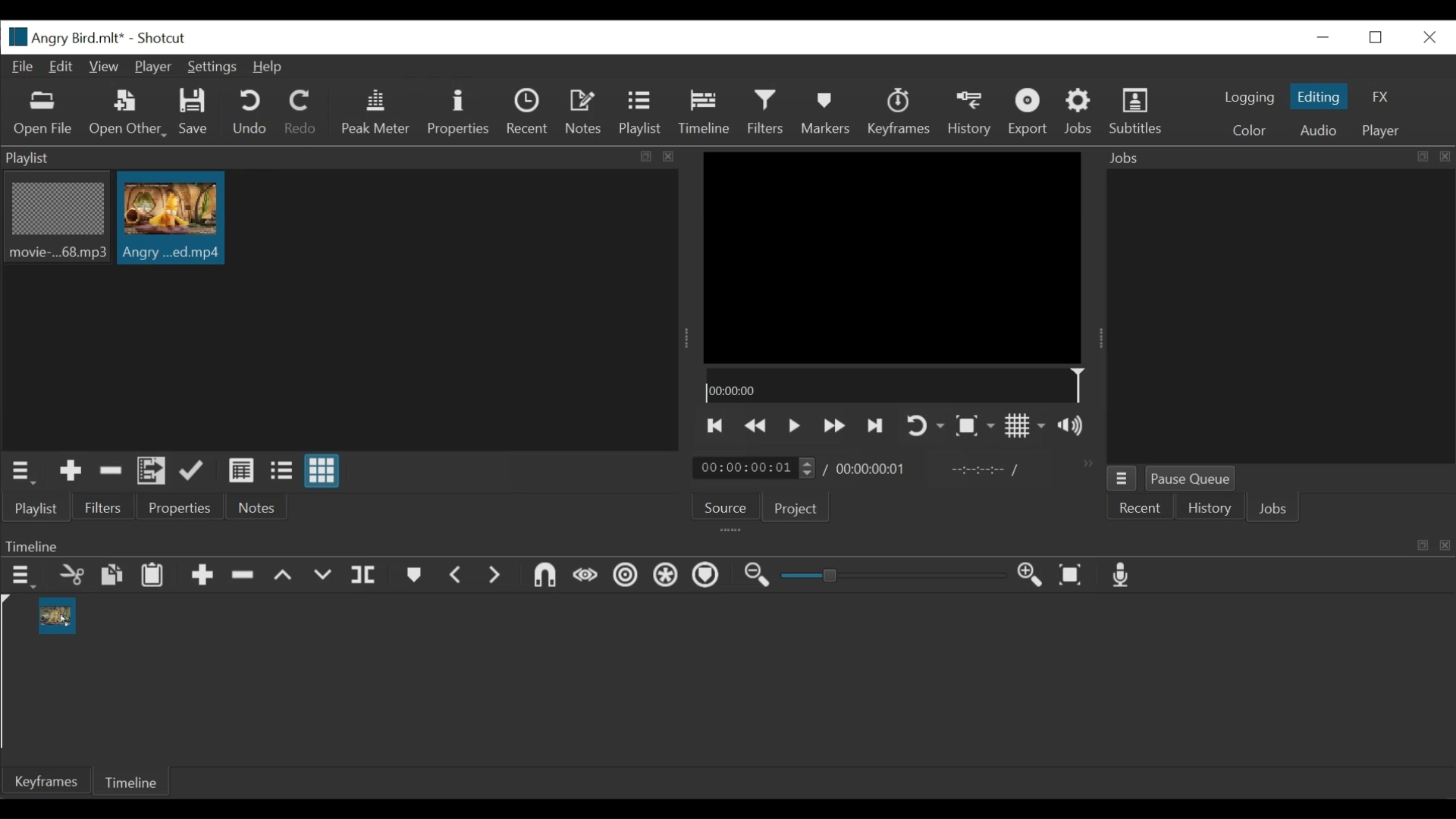 The width and height of the screenshot is (1456, 819). What do you see at coordinates (152, 576) in the screenshot?
I see `Paste` at bounding box center [152, 576].